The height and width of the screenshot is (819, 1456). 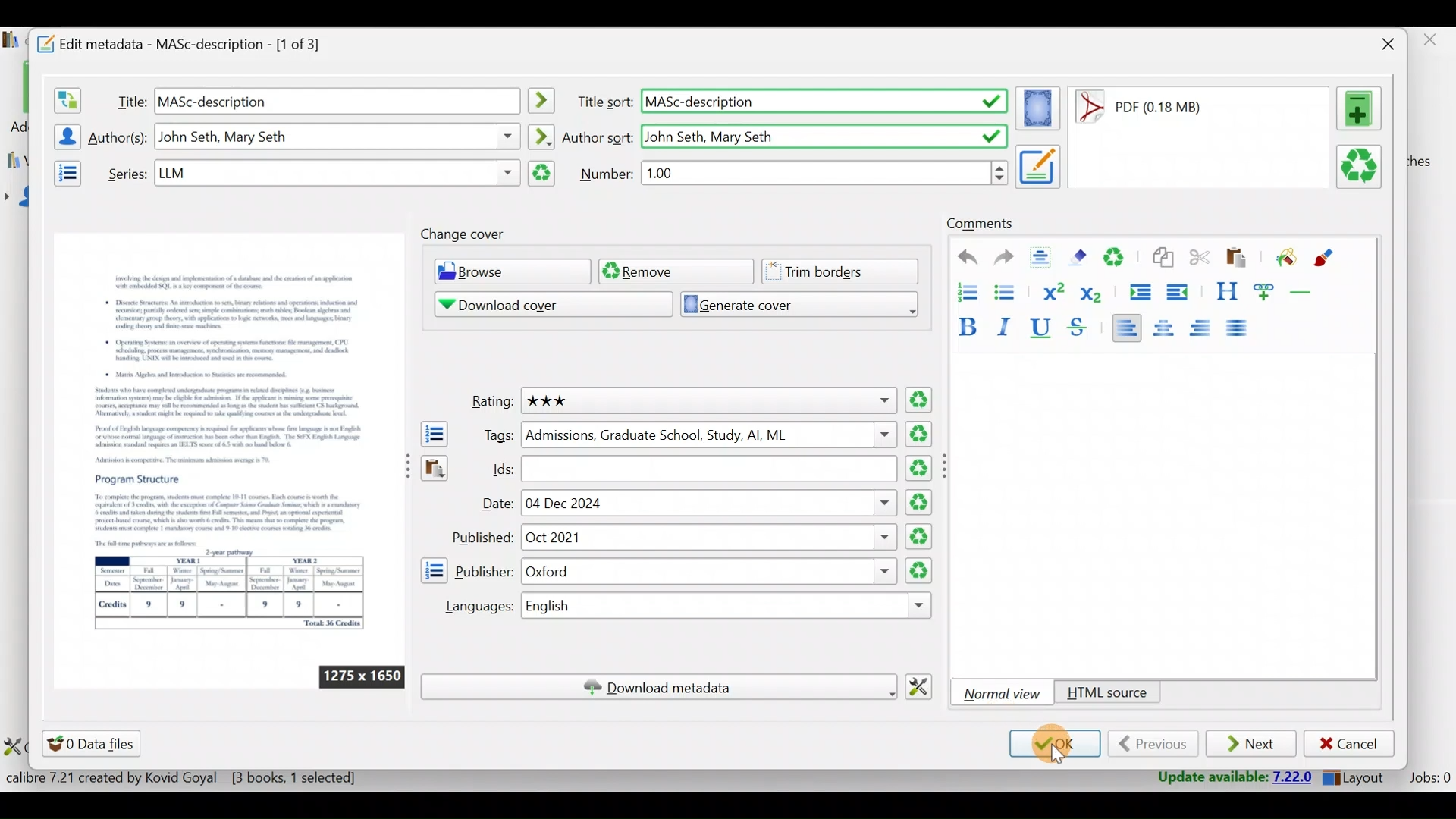 What do you see at coordinates (1005, 693) in the screenshot?
I see `Normal view` at bounding box center [1005, 693].